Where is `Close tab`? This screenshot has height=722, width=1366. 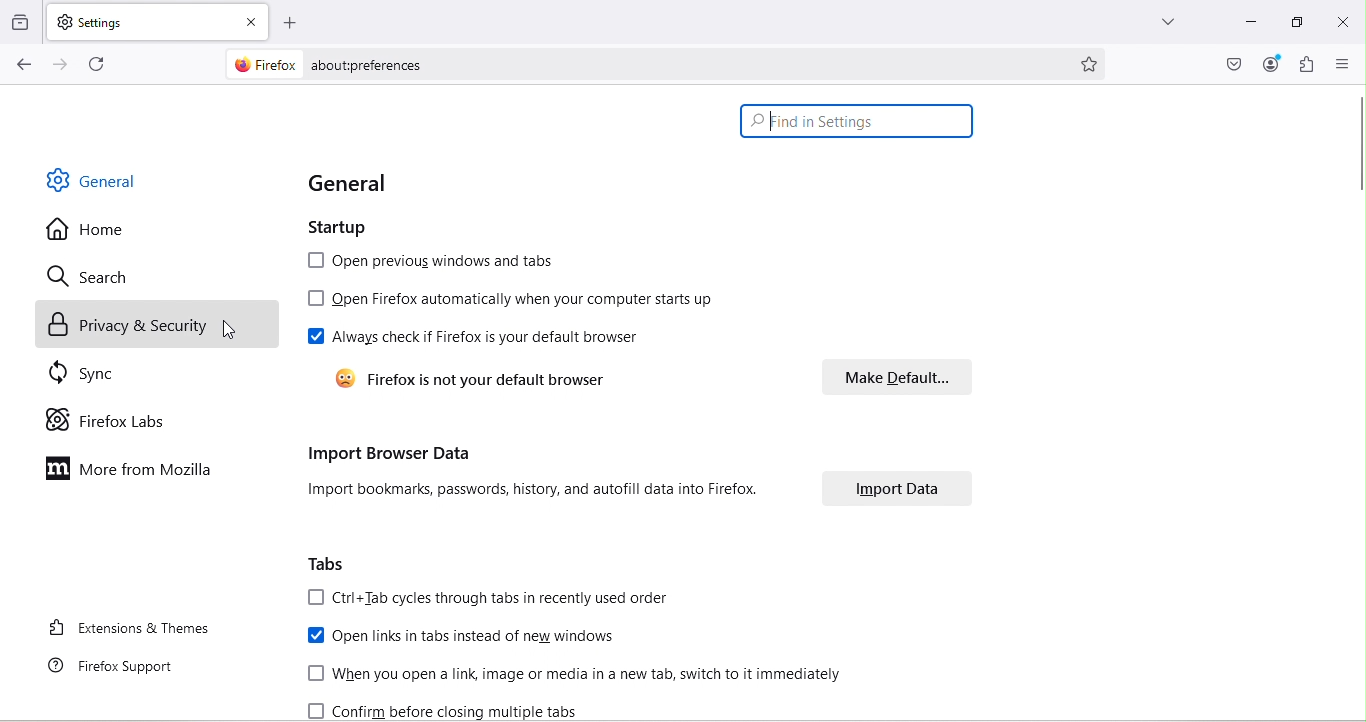 Close tab is located at coordinates (252, 23).